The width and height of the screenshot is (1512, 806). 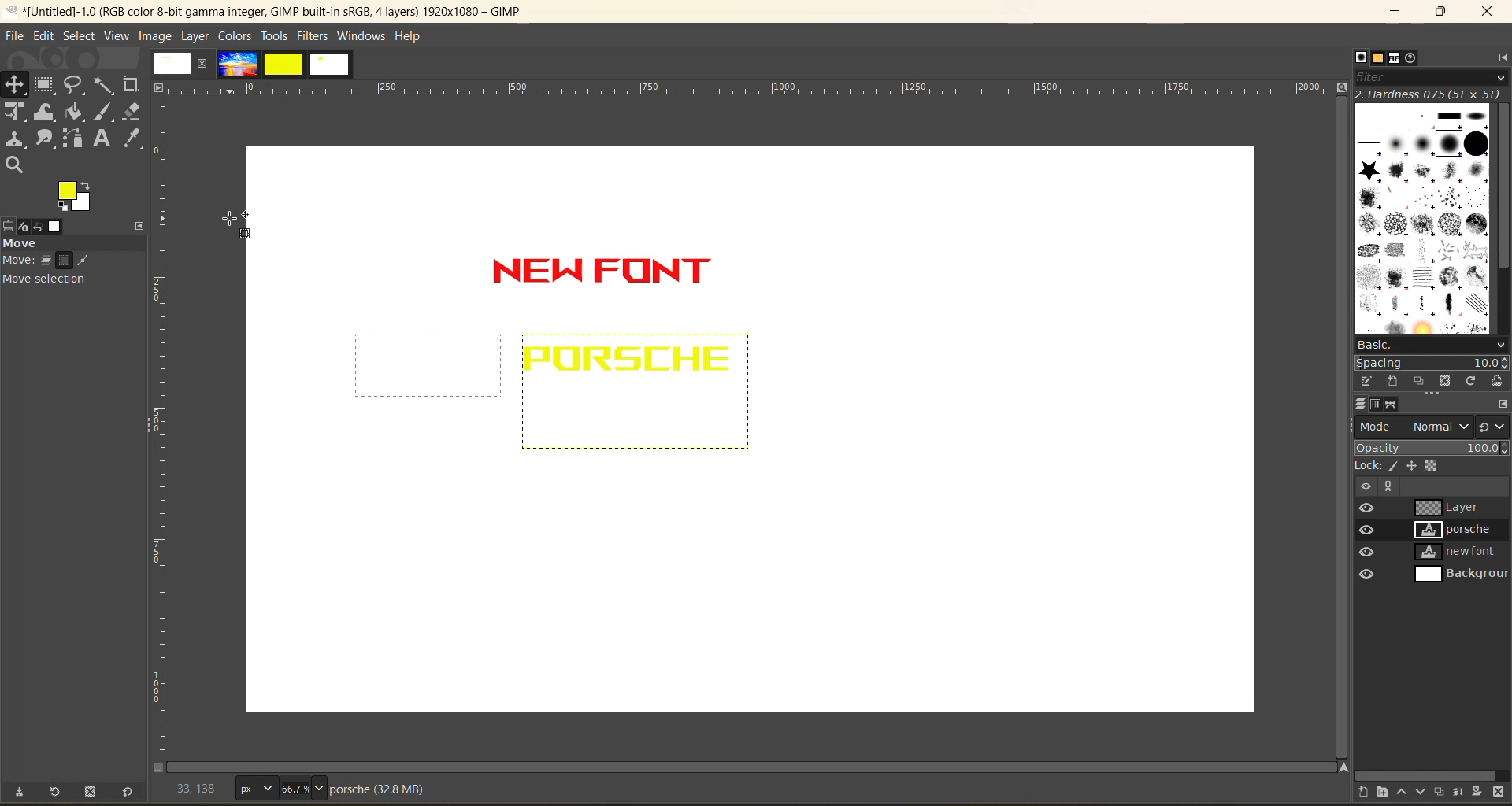 I want to click on wrape transform, so click(x=45, y=113).